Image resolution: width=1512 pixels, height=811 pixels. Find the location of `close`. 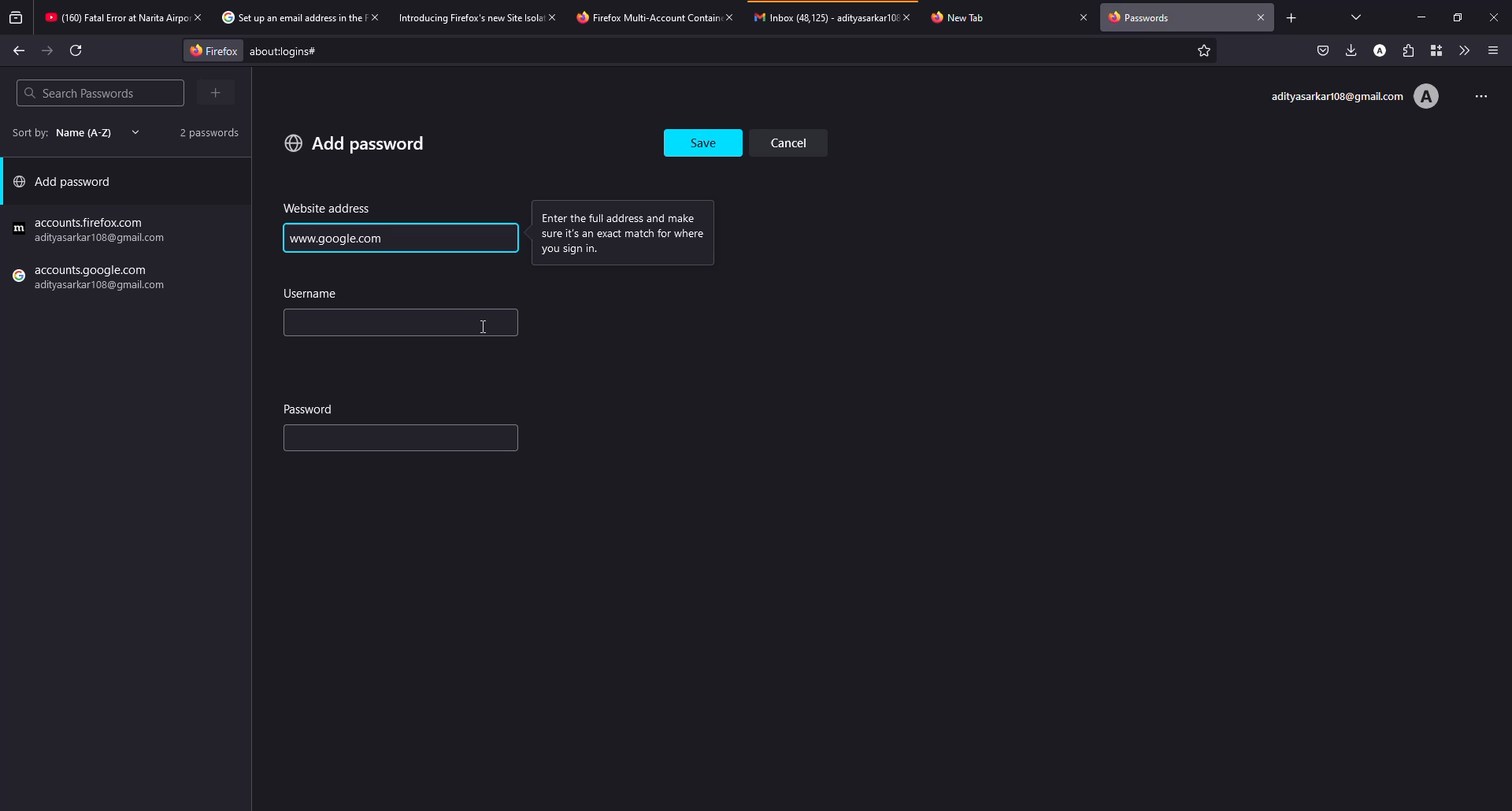

close is located at coordinates (728, 17).